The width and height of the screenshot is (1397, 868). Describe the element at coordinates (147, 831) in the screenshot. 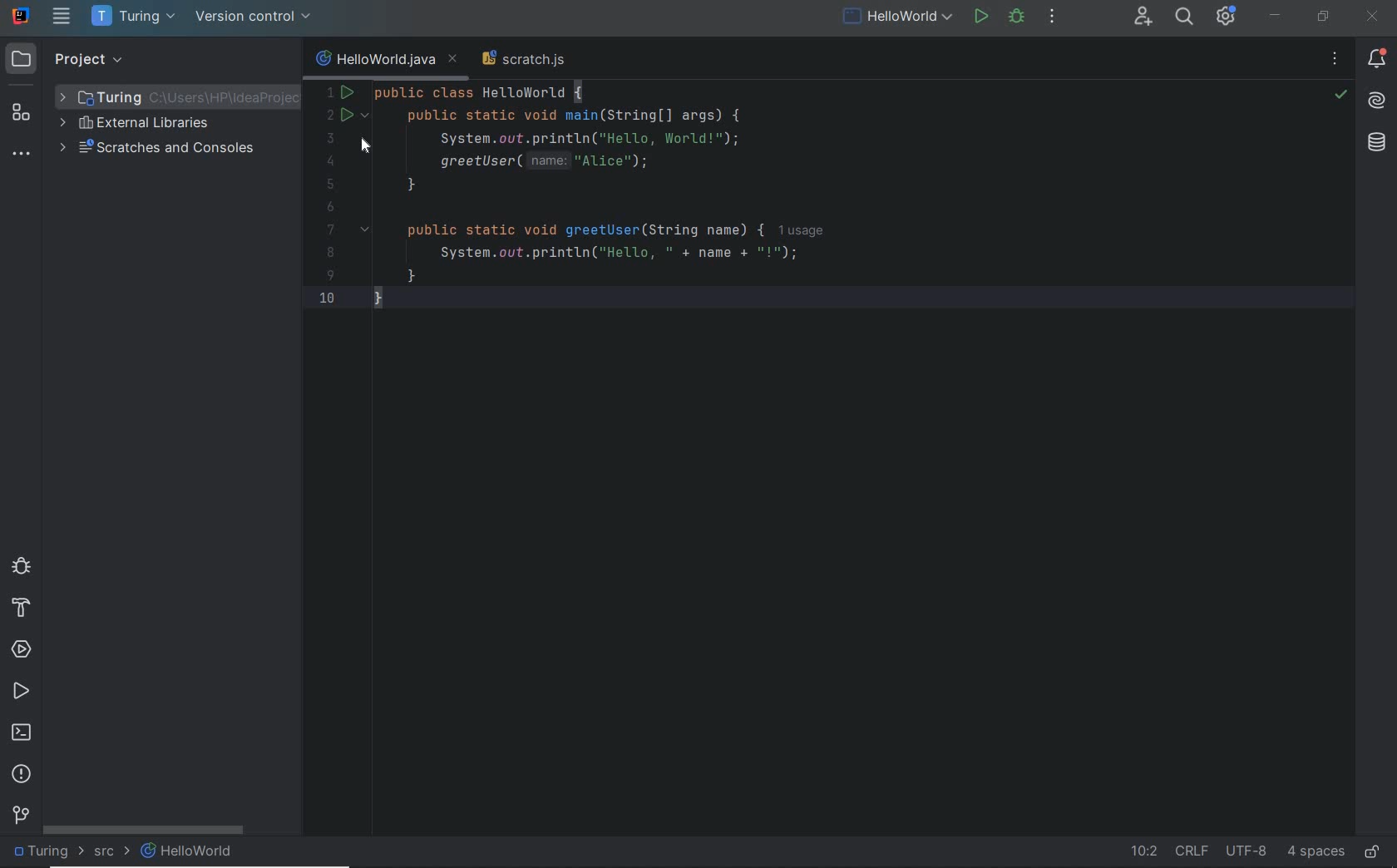

I see `scroll bar` at that location.